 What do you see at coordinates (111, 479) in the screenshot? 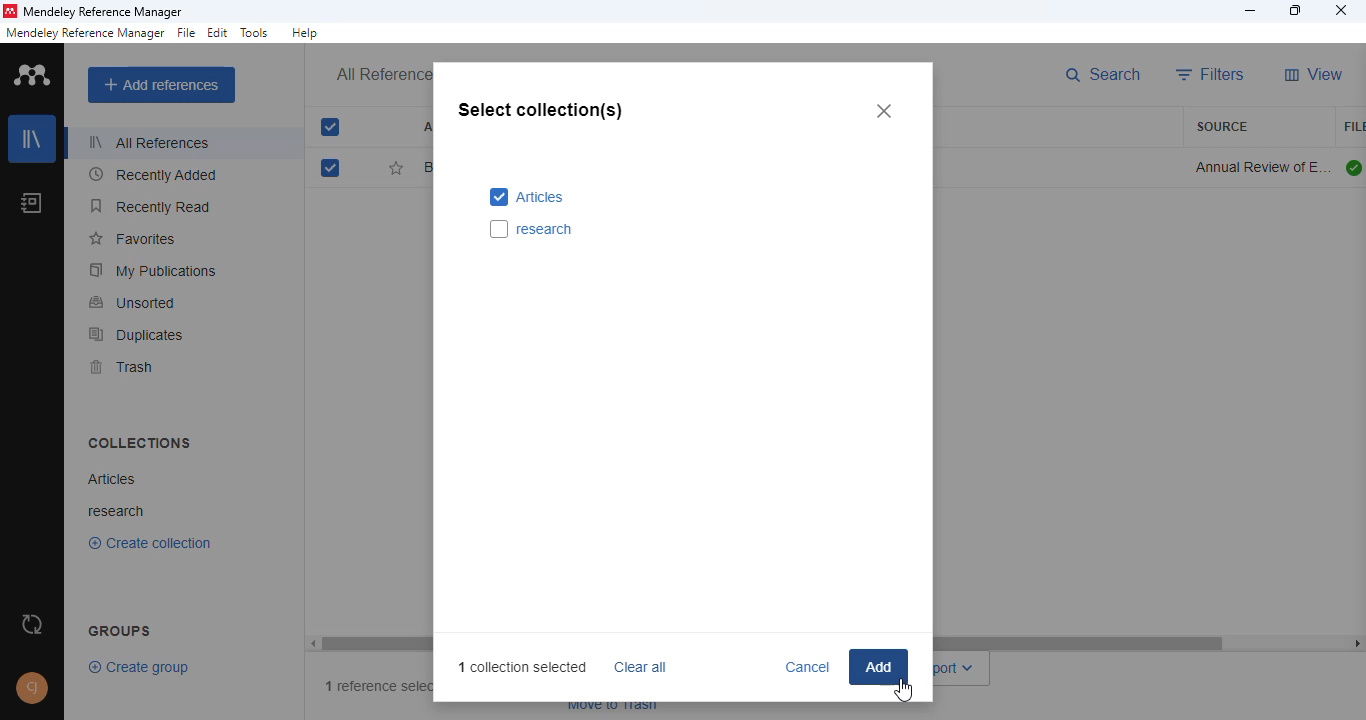
I see `articles collection created` at bounding box center [111, 479].